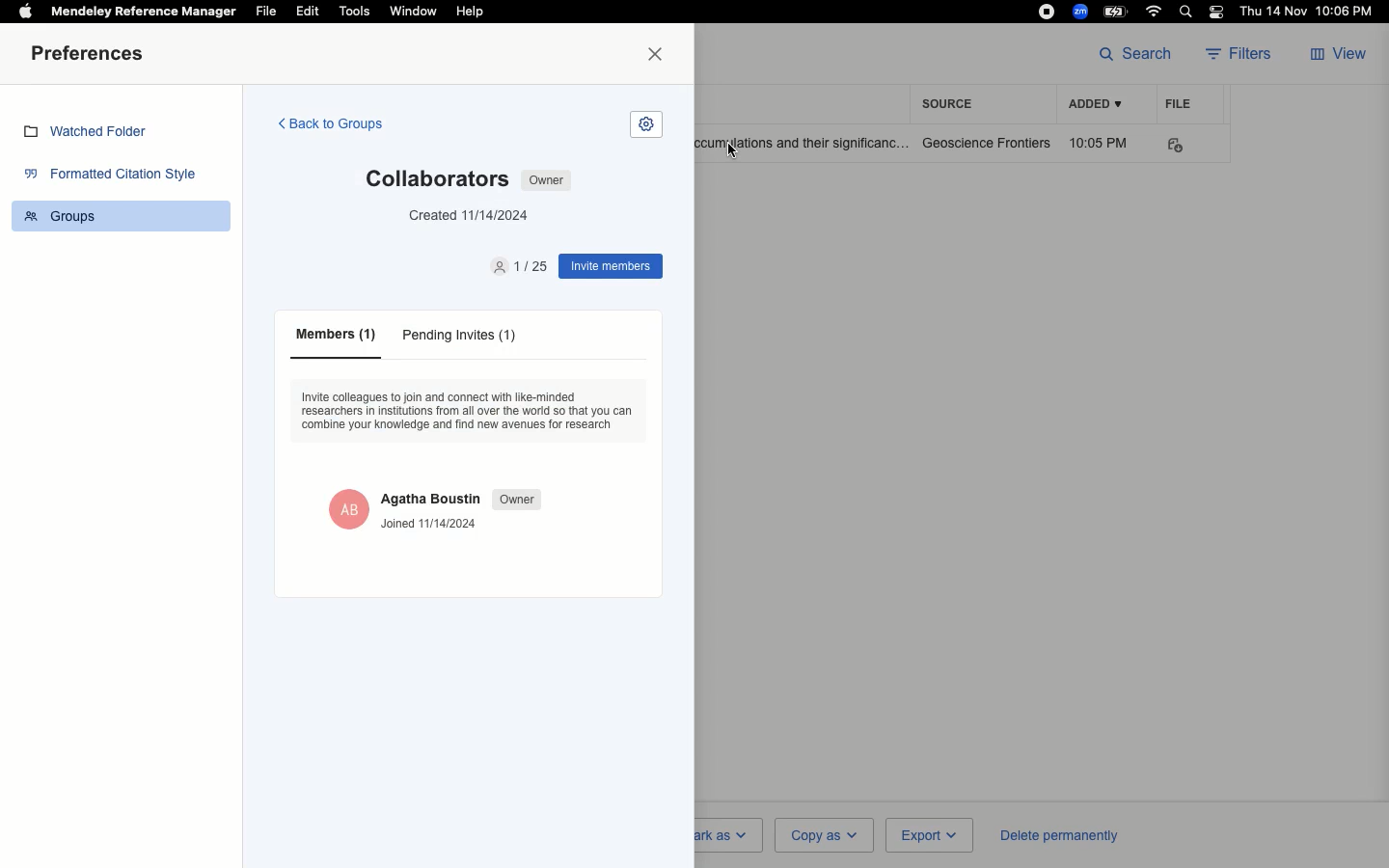 The image size is (1389, 868). I want to click on Owner, so click(517, 500).